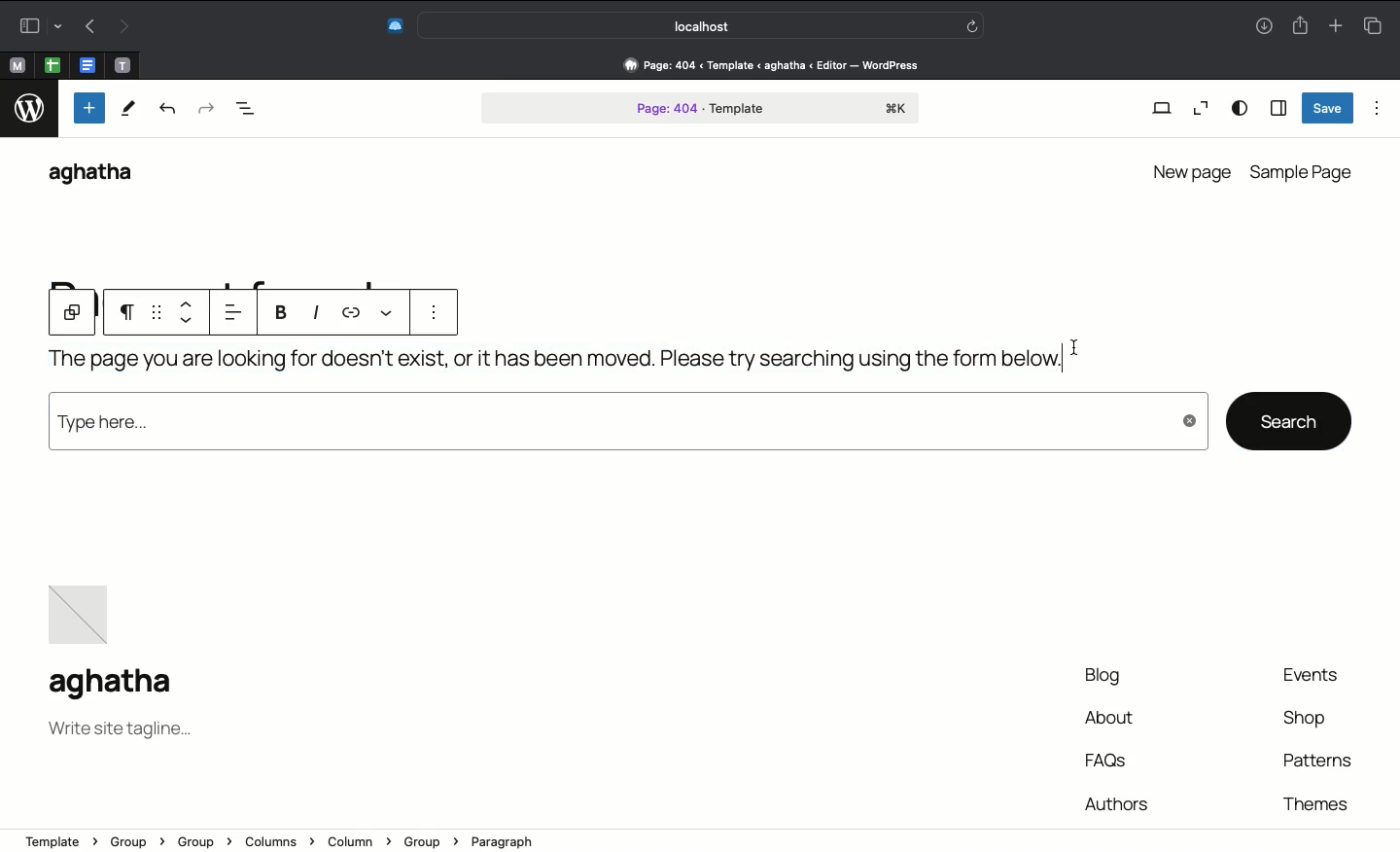 The height and width of the screenshot is (852, 1400). I want to click on Search bar, so click(703, 24).